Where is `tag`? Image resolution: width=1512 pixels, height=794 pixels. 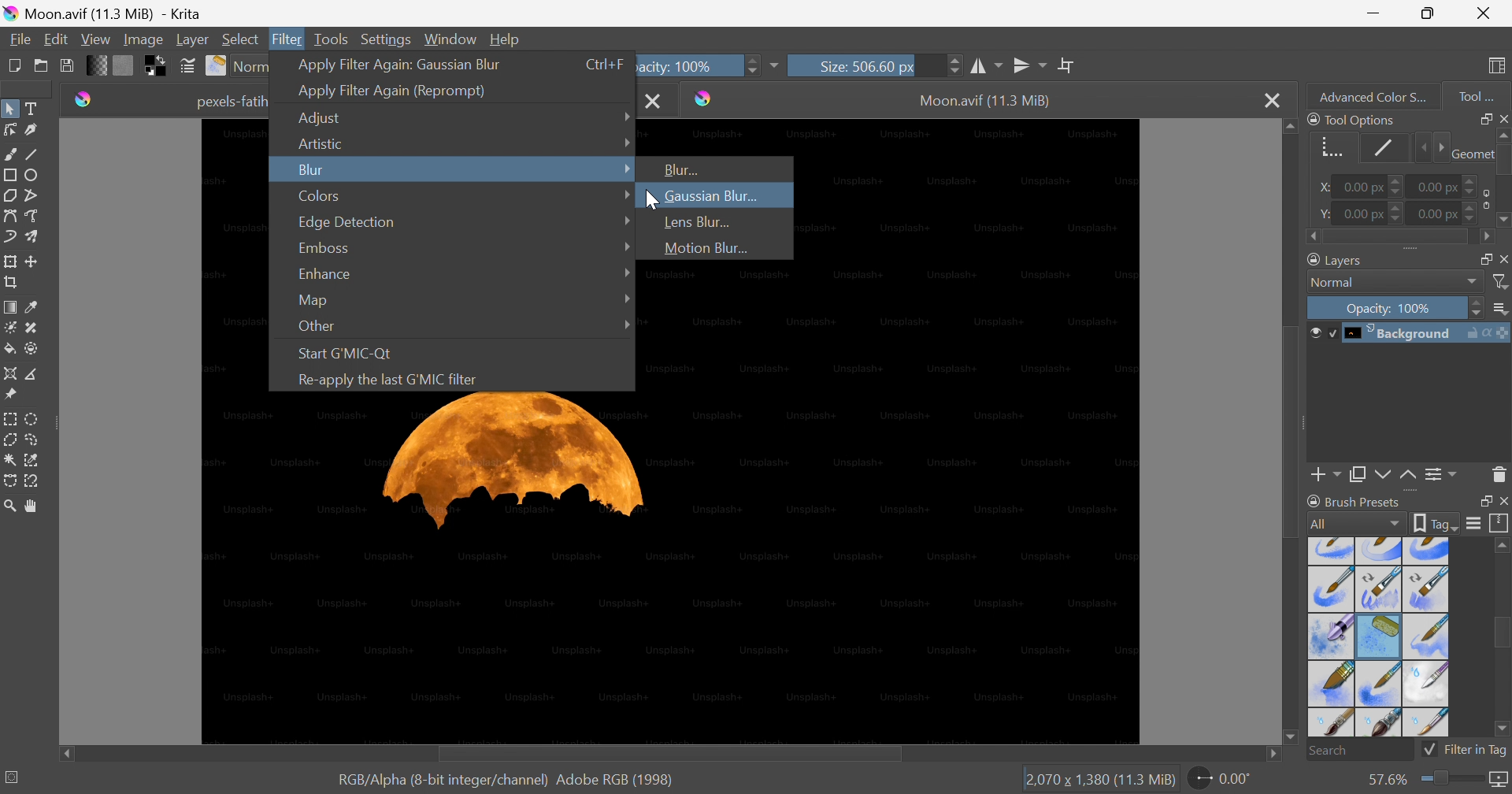 tag is located at coordinates (1436, 524).